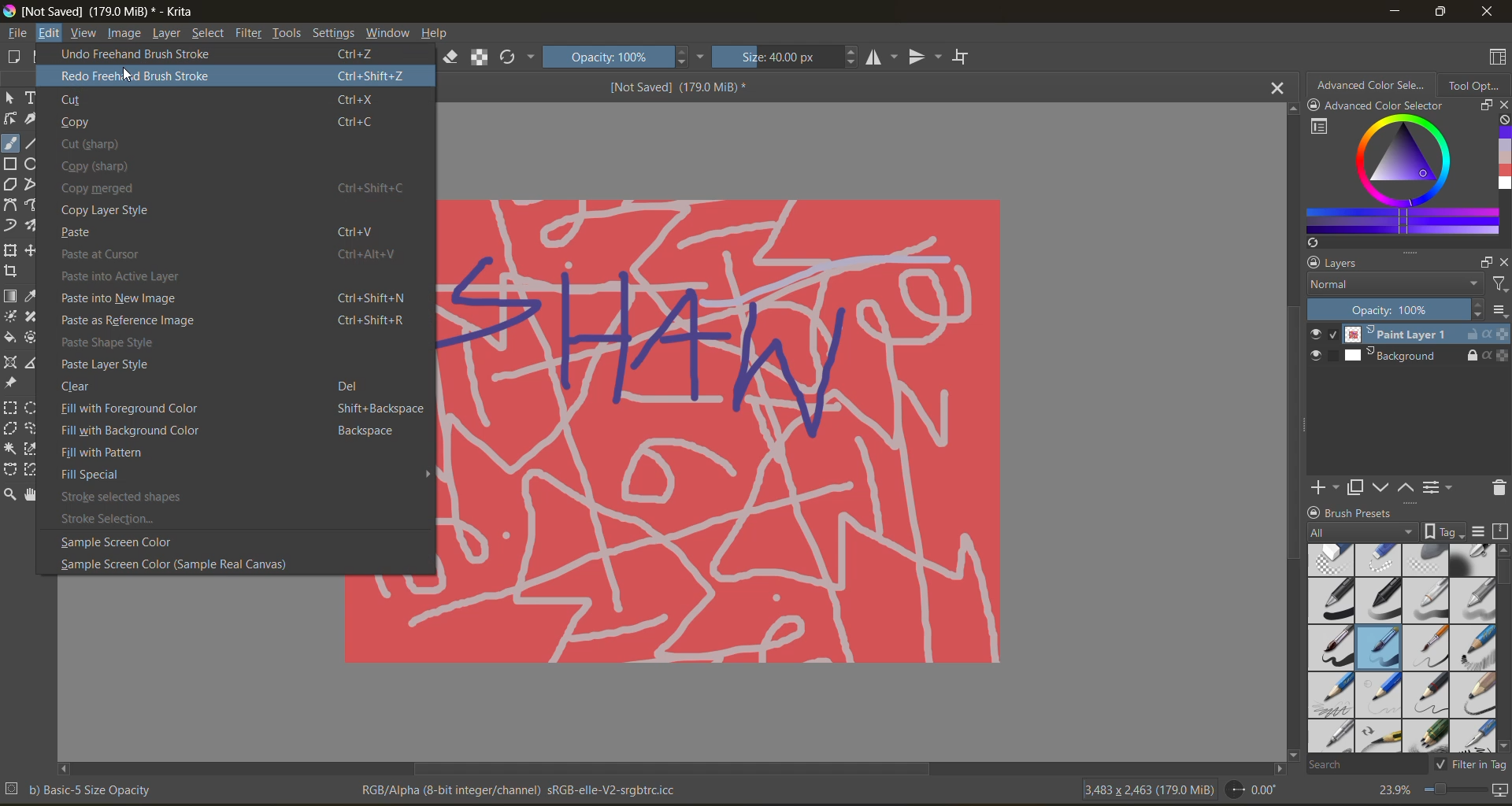 The width and height of the screenshot is (1512, 806). I want to click on calligraphy, so click(34, 118).